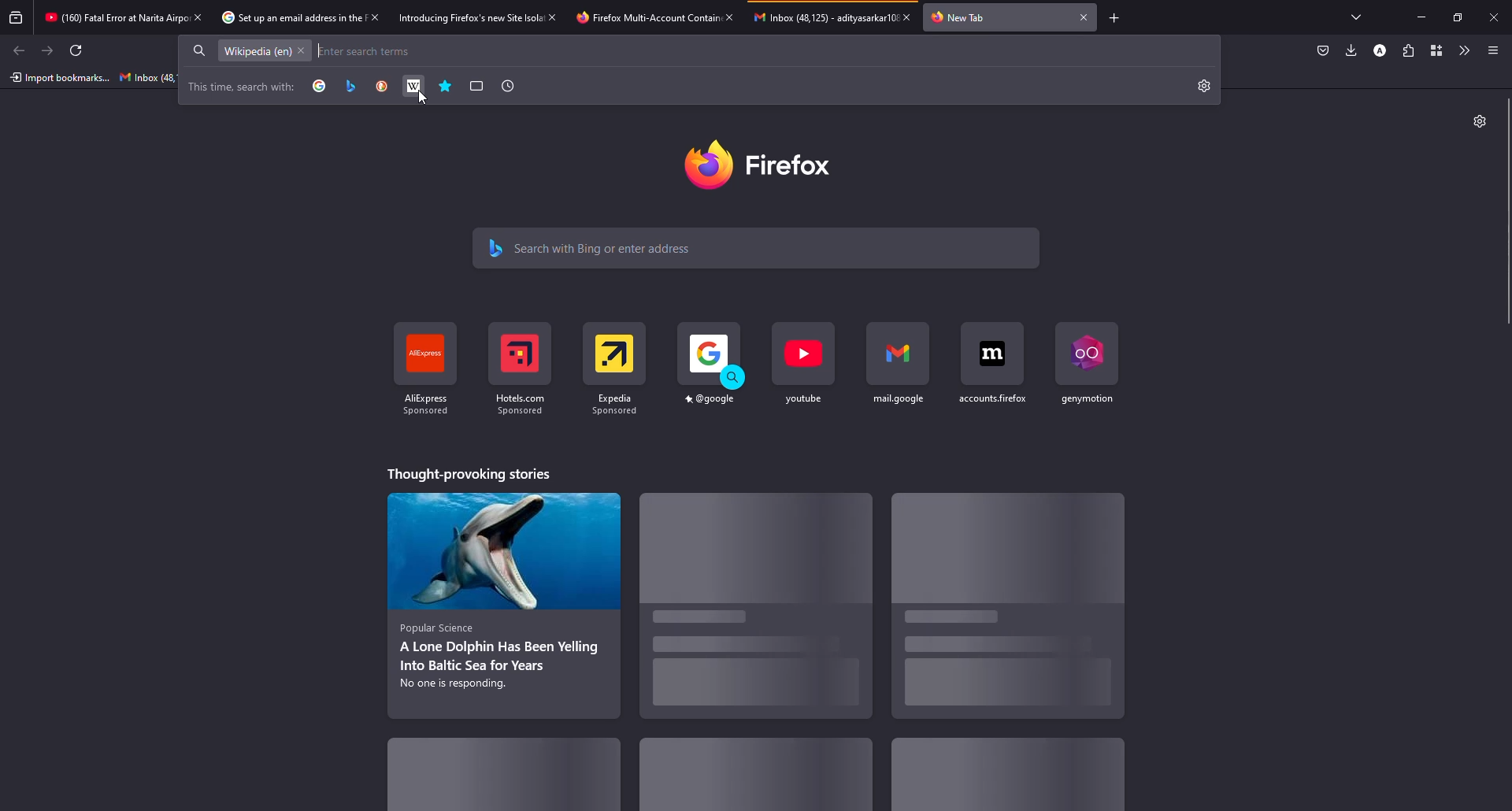  I want to click on wiki, so click(414, 86).